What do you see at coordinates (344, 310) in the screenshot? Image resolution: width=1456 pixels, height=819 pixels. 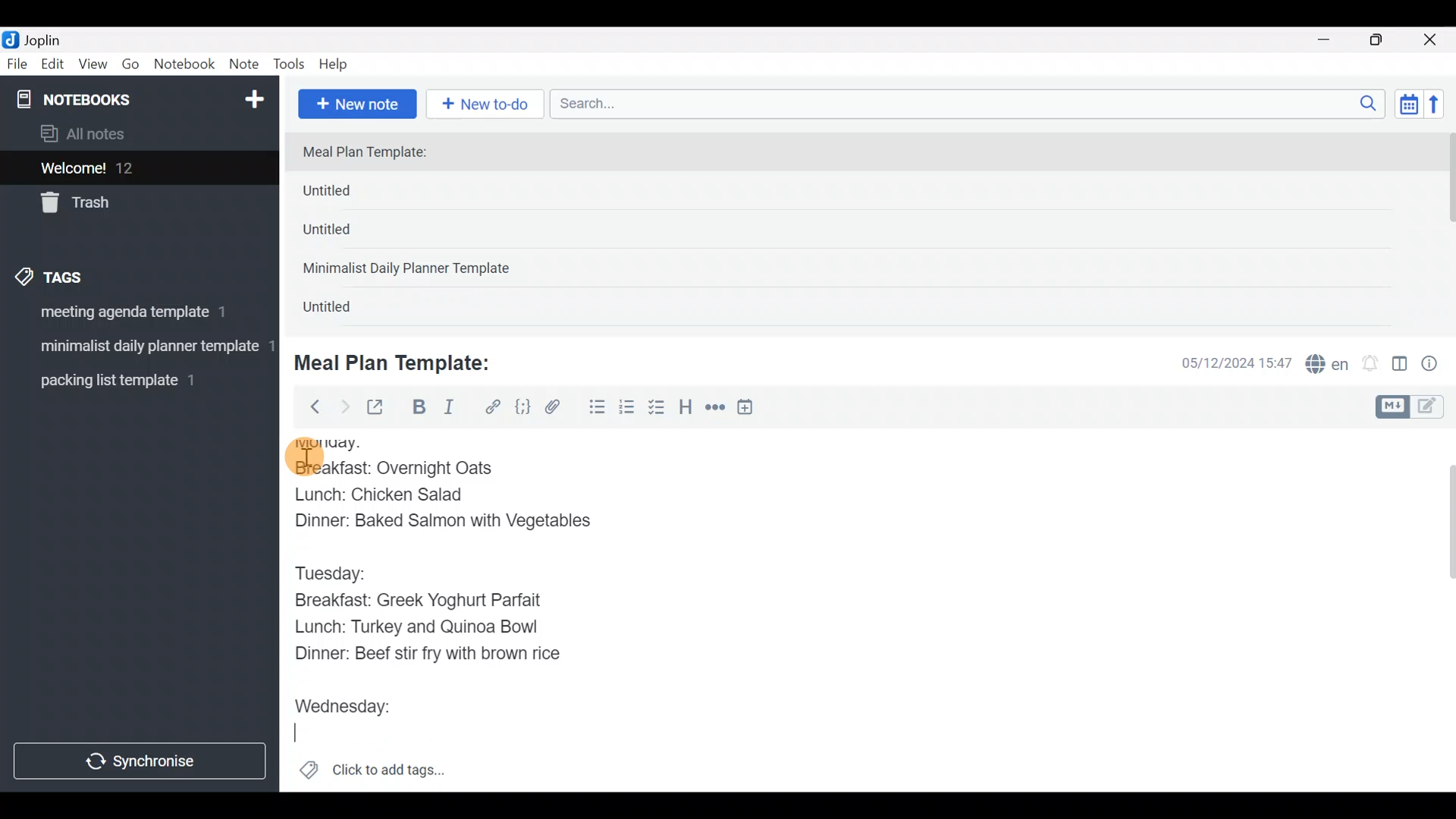 I see `Untitled` at bounding box center [344, 310].